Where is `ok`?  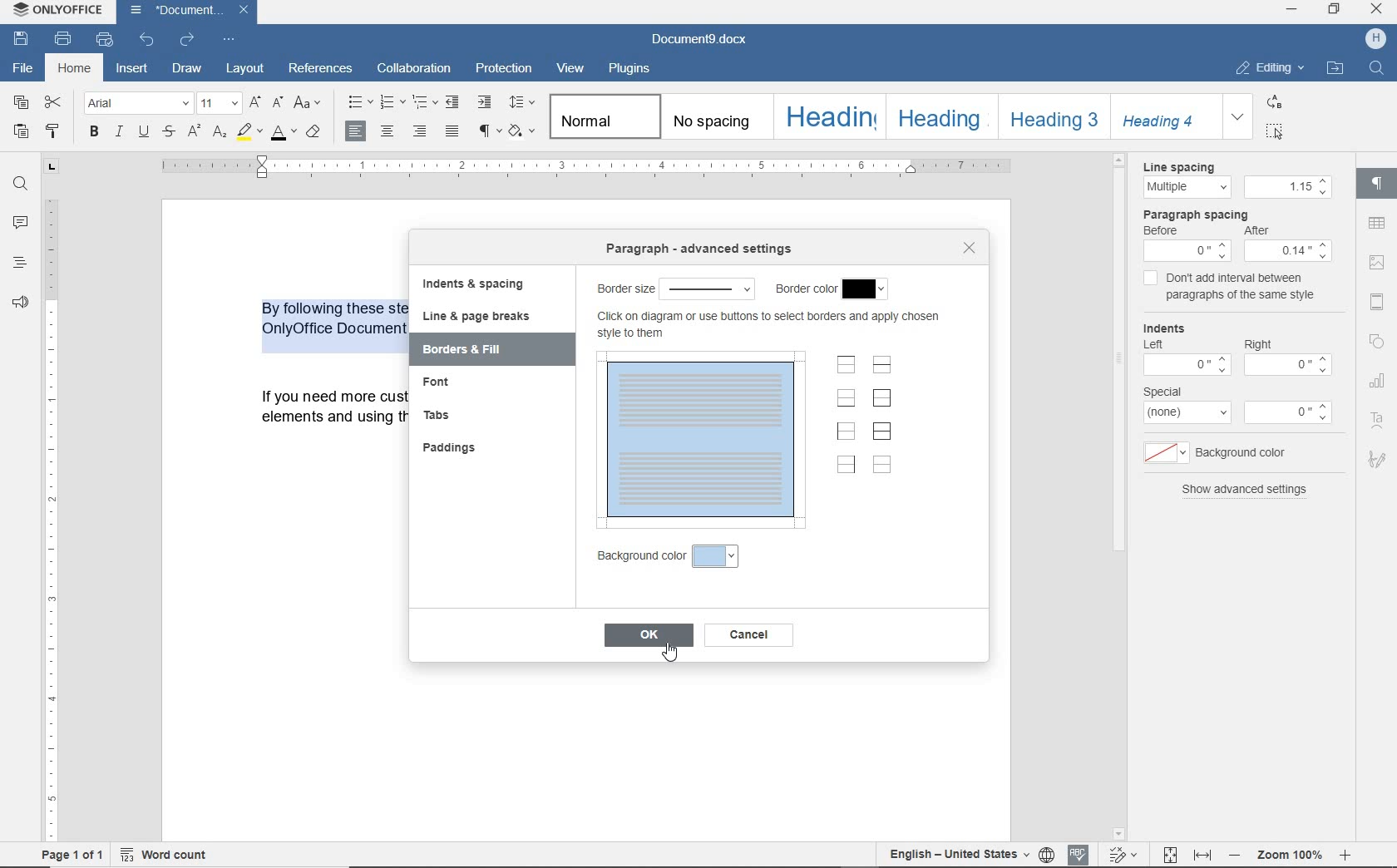
ok is located at coordinates (647, 636).